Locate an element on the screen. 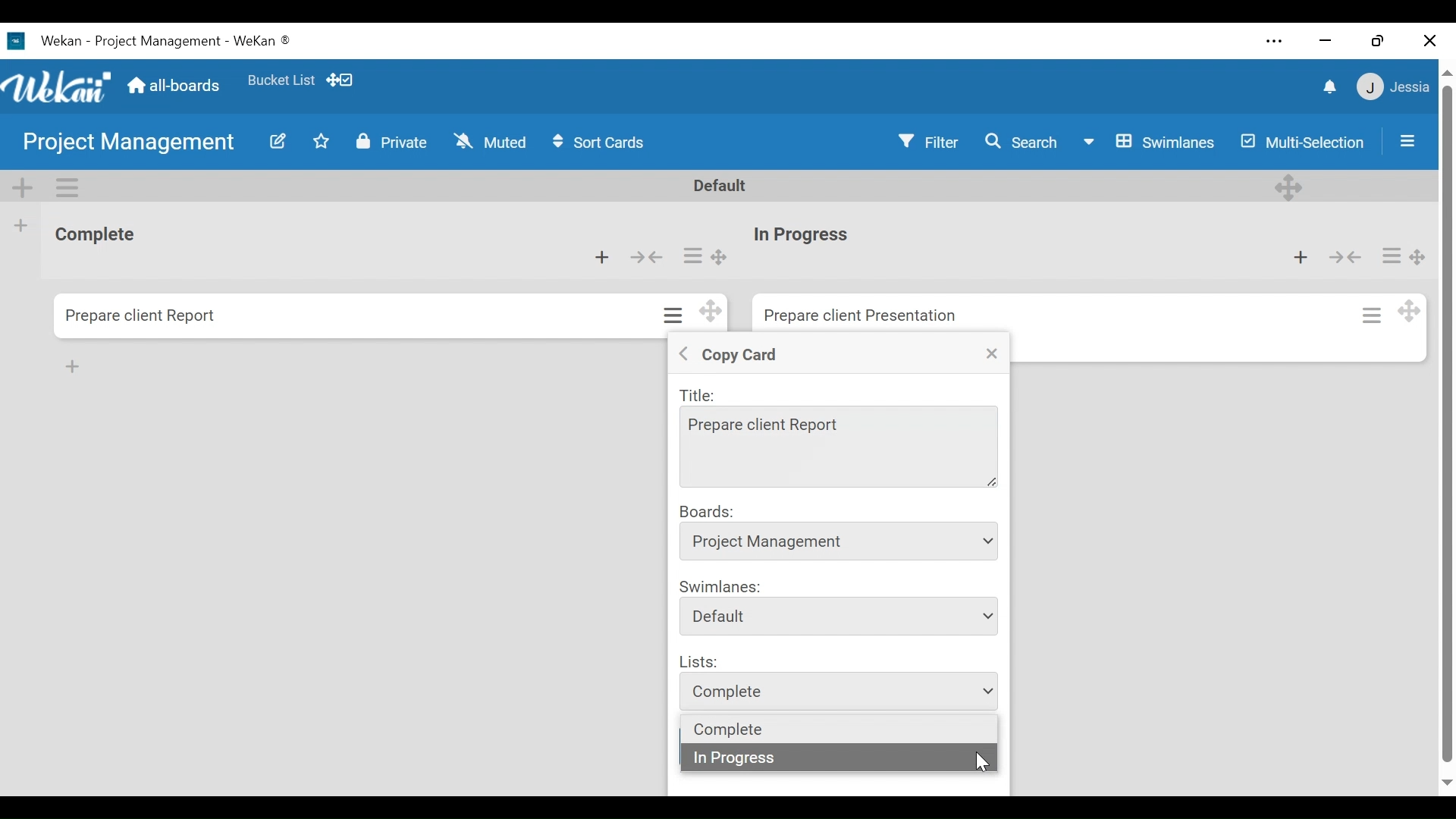  Collapse is located at coordinates (1353, 257).